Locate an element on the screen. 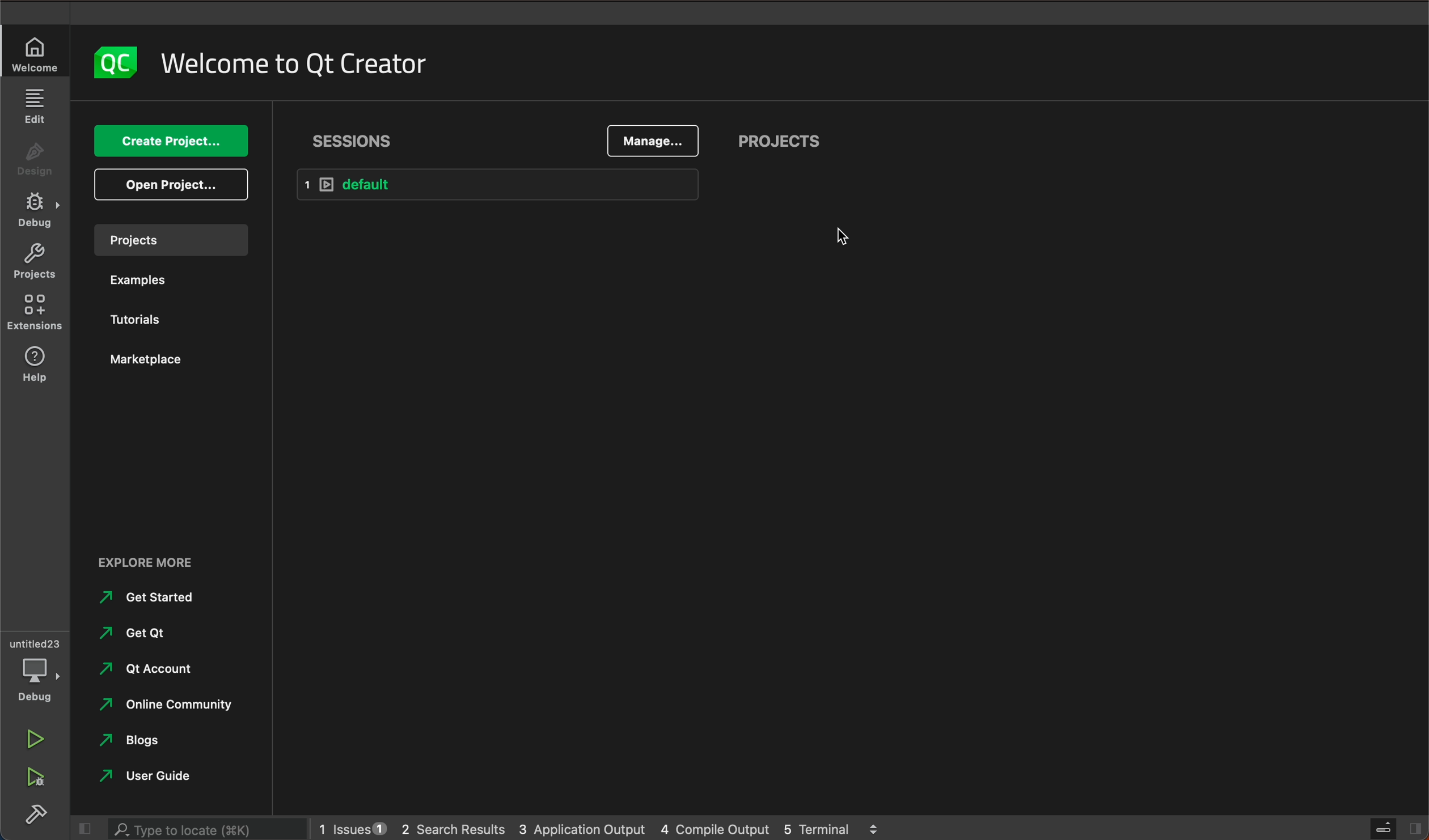  extensions is located at coordinates (34, 317).